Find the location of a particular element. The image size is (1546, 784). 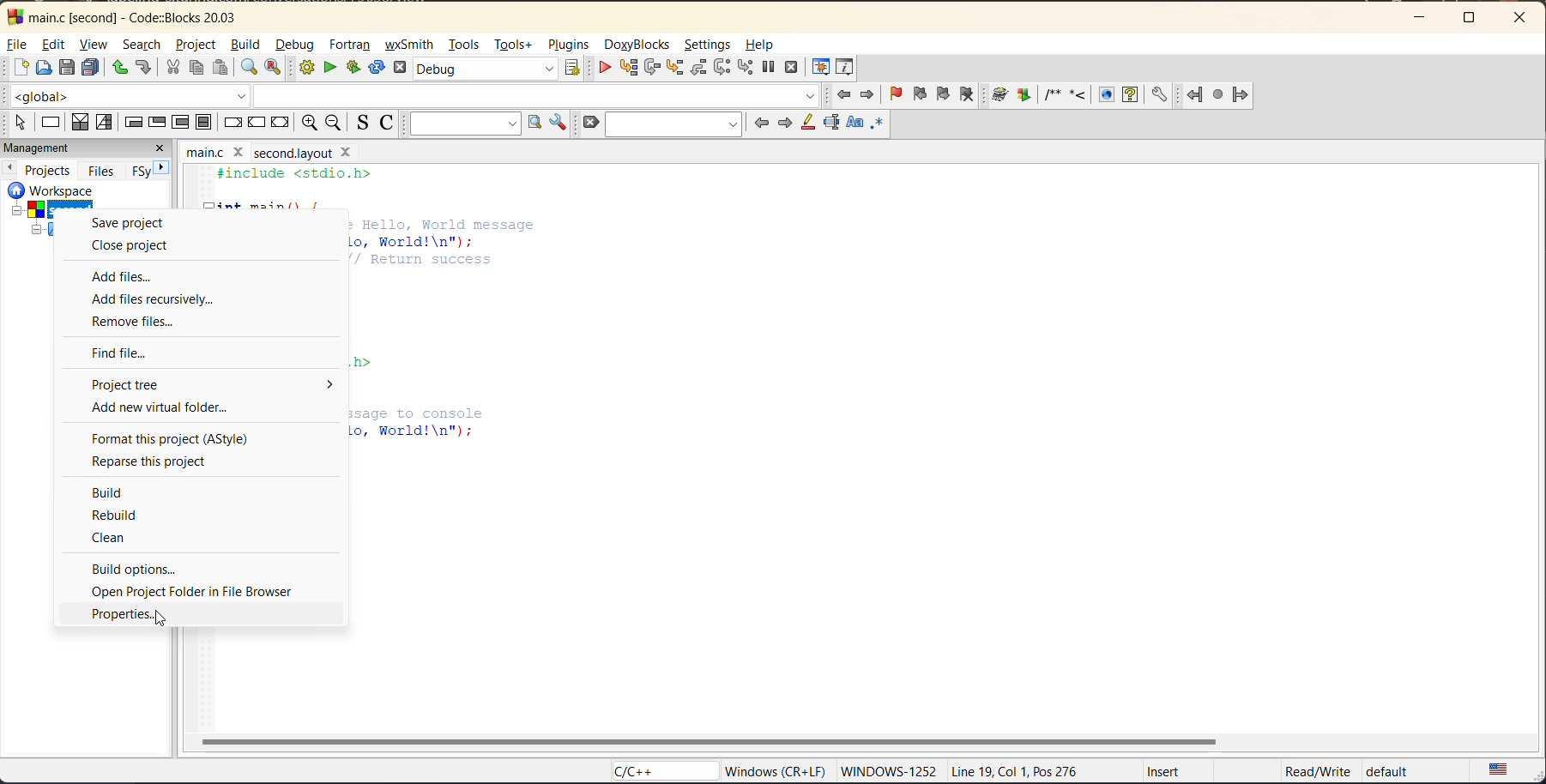

plugins is located at coordinates (573, 46).